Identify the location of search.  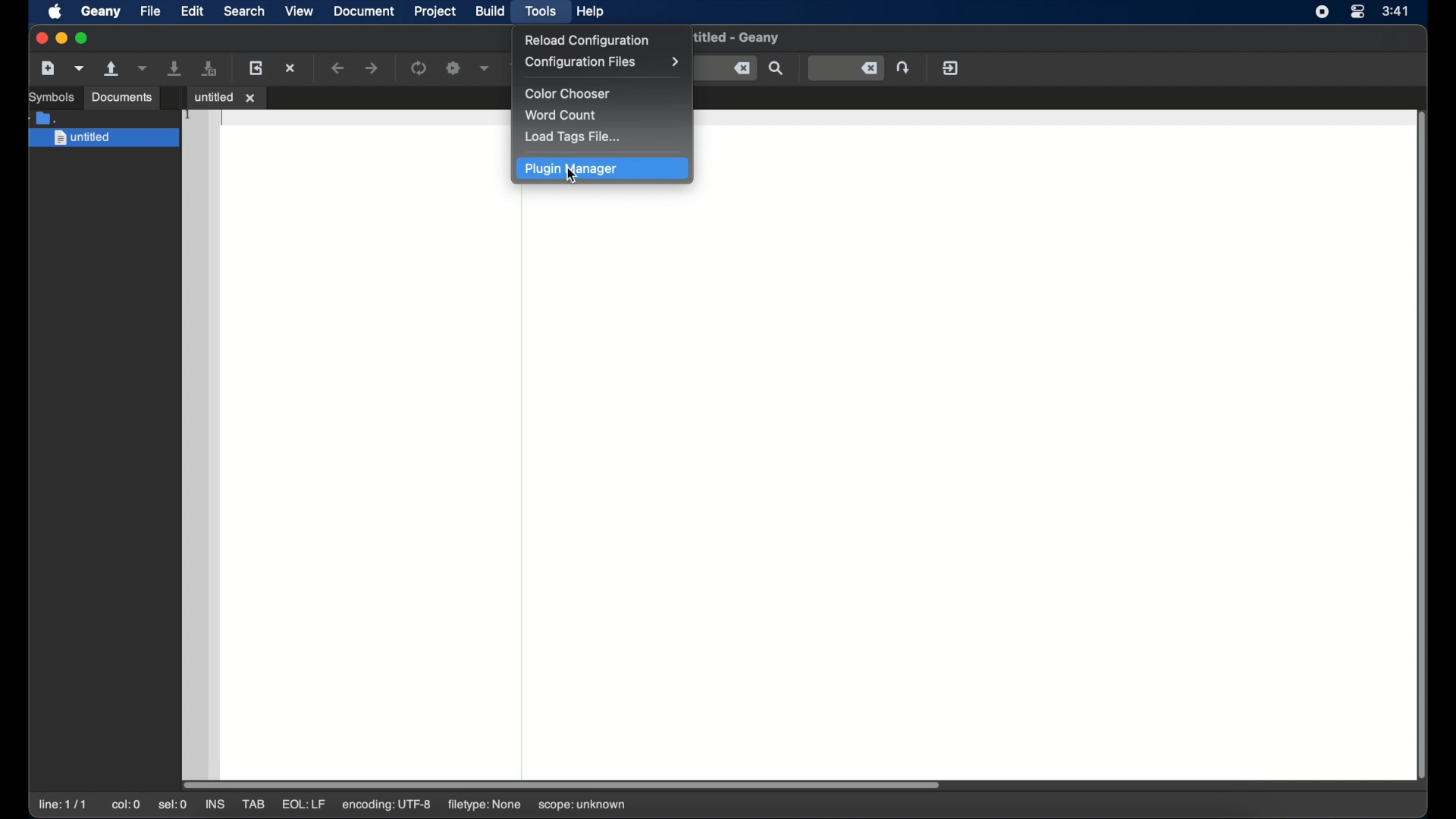
(244, 11).